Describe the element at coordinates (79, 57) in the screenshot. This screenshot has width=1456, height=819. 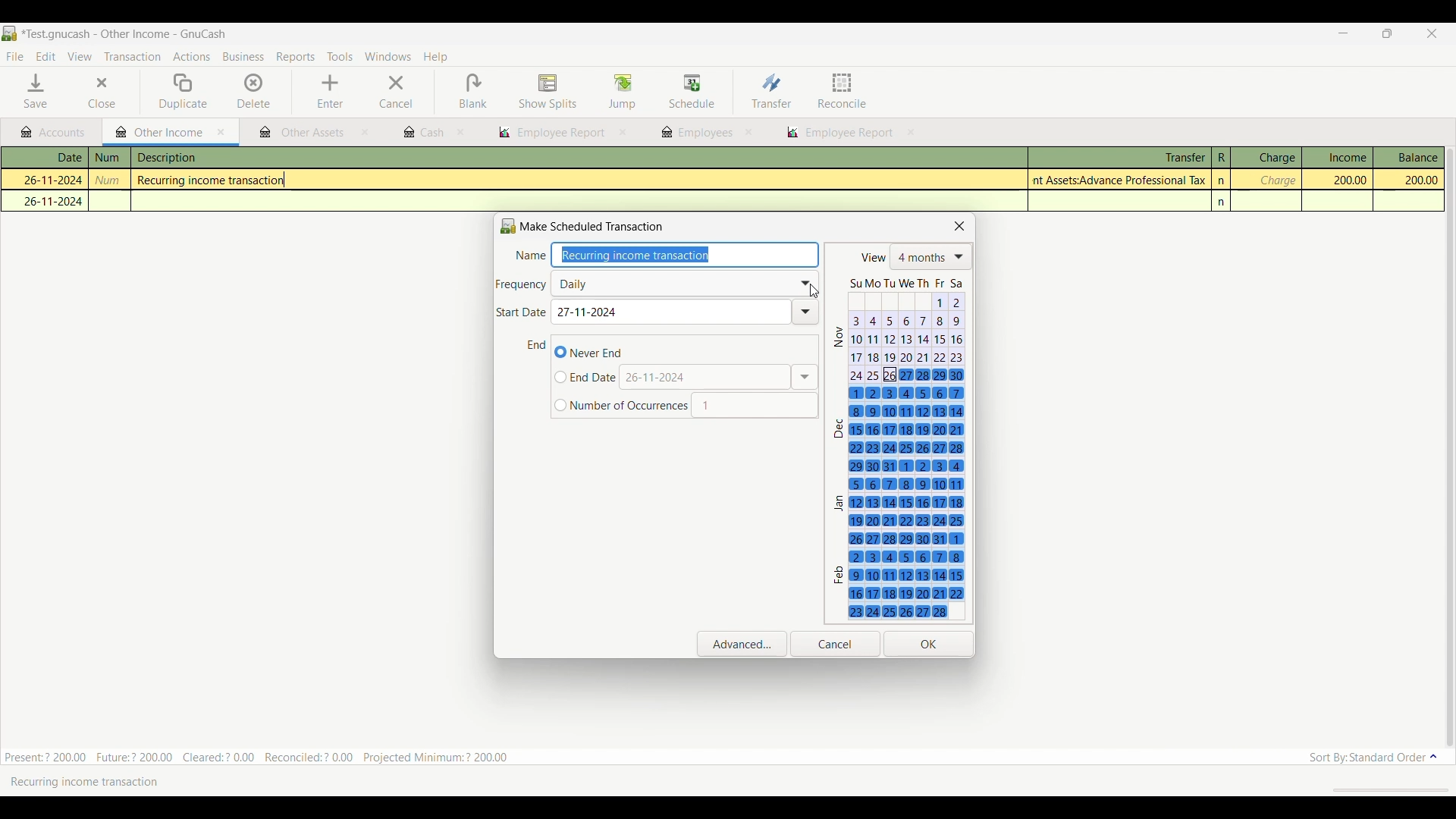
I see `View menu` at that location.